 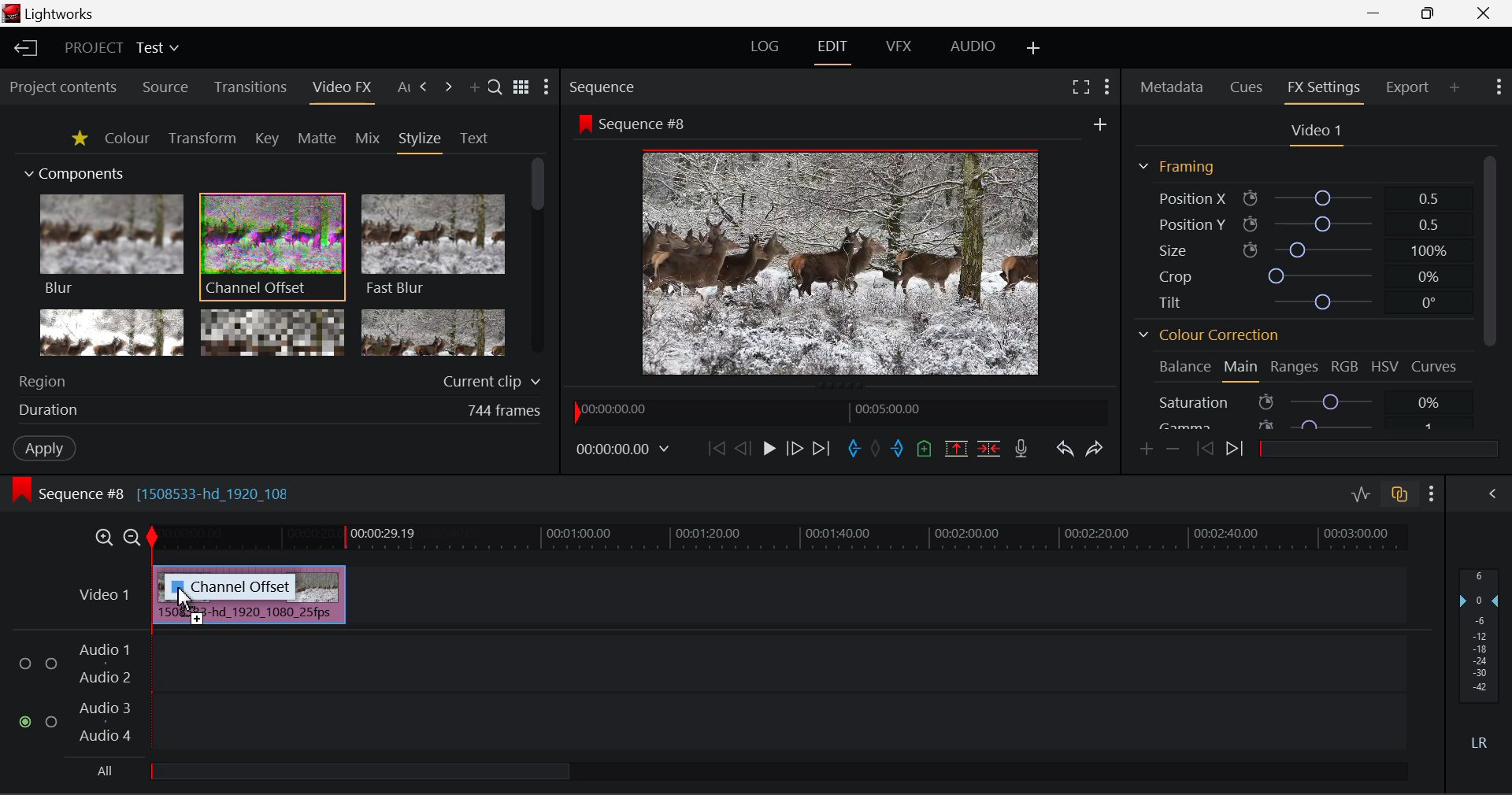 What do you see at coordinates (219, 493) in the screenshot?
I see `[1508533-hd_1920_108` at bounding box center [219, 493].